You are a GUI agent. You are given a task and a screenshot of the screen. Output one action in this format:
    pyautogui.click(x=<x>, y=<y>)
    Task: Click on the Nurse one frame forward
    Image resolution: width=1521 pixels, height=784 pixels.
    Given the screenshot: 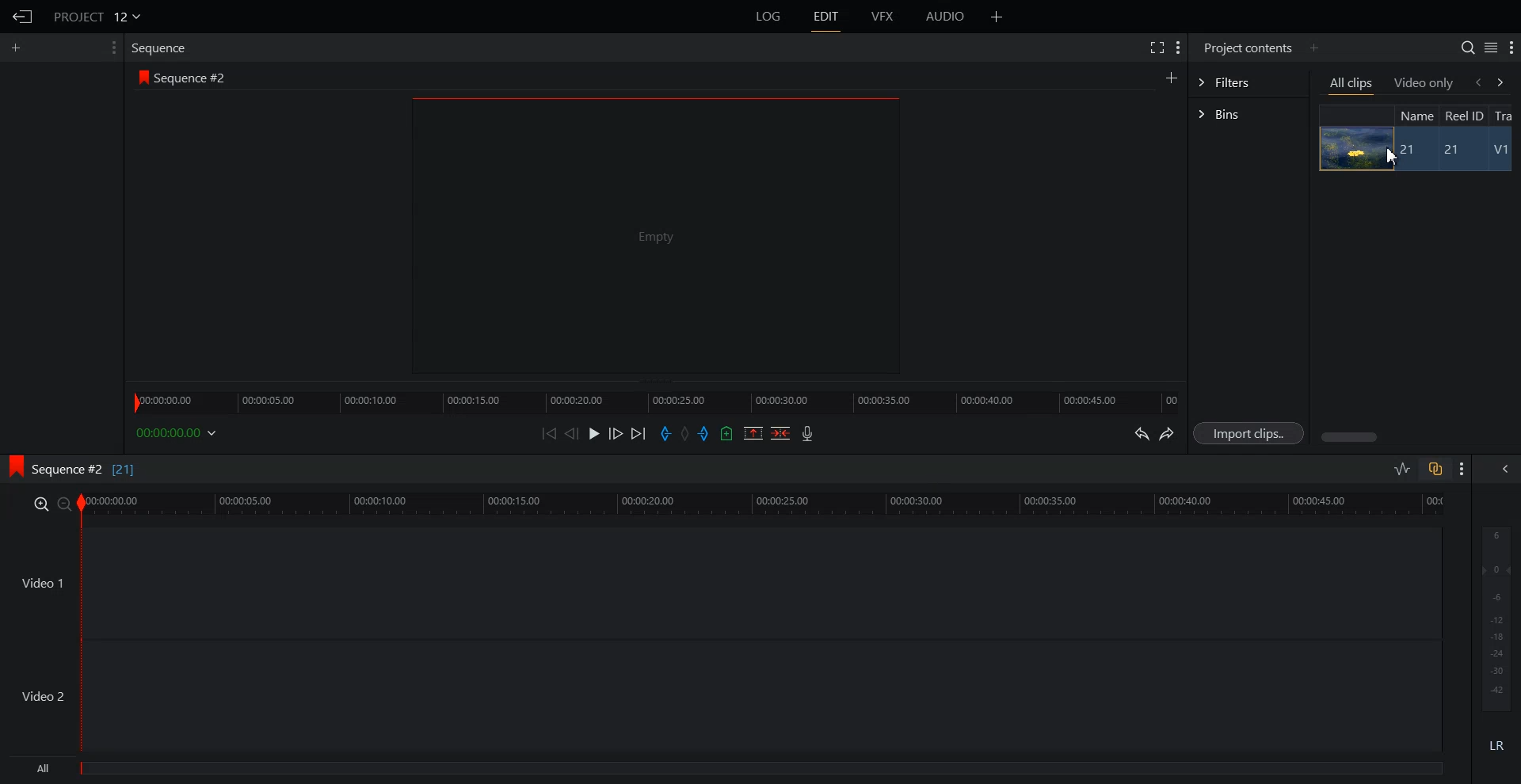 What is the action you would take?
    pyautogui.click(x=616, y=433)
    